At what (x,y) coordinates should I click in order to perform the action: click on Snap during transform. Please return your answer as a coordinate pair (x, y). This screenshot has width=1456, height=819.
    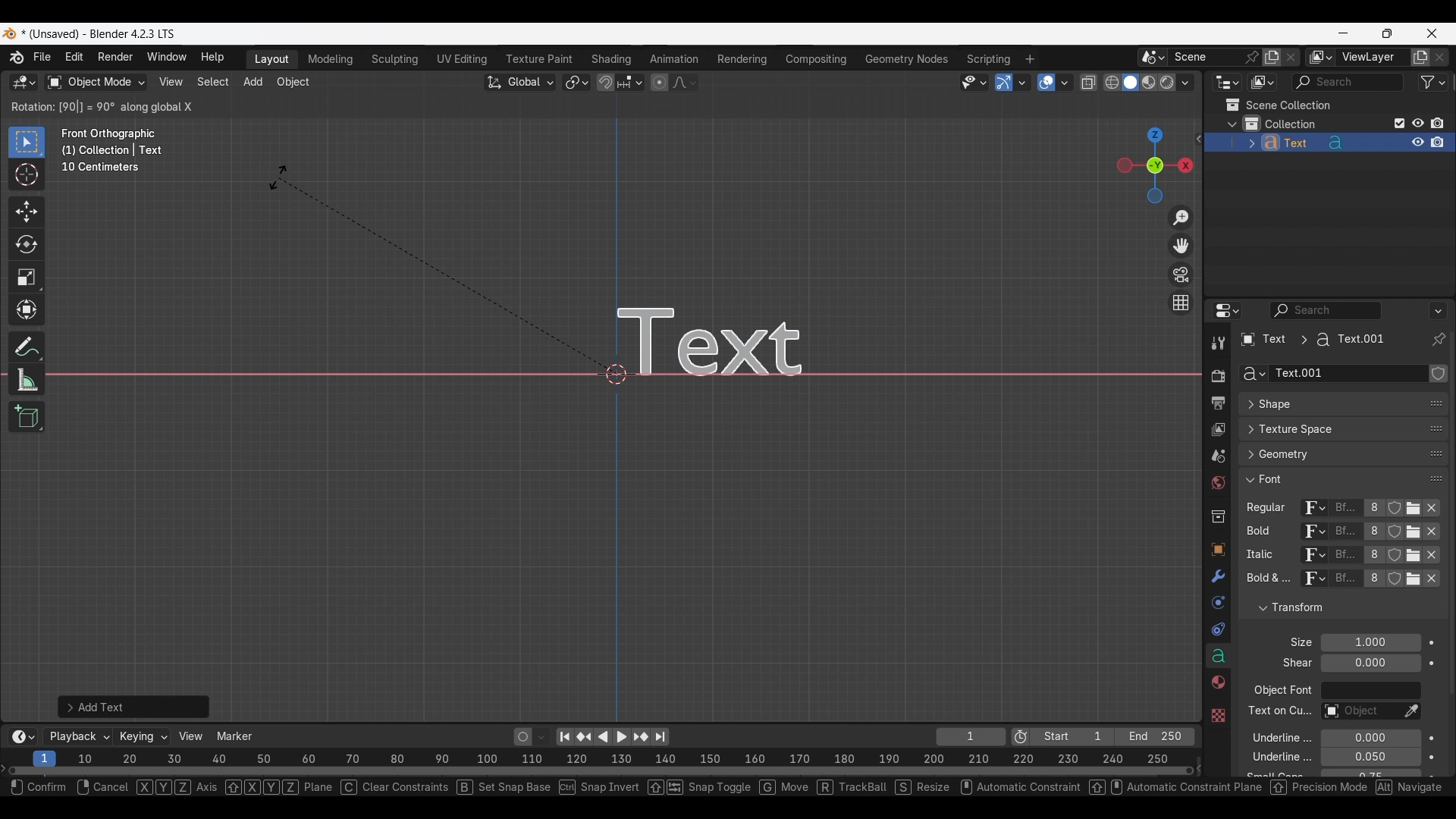
    Looking at the image, I should click on (606, 82).